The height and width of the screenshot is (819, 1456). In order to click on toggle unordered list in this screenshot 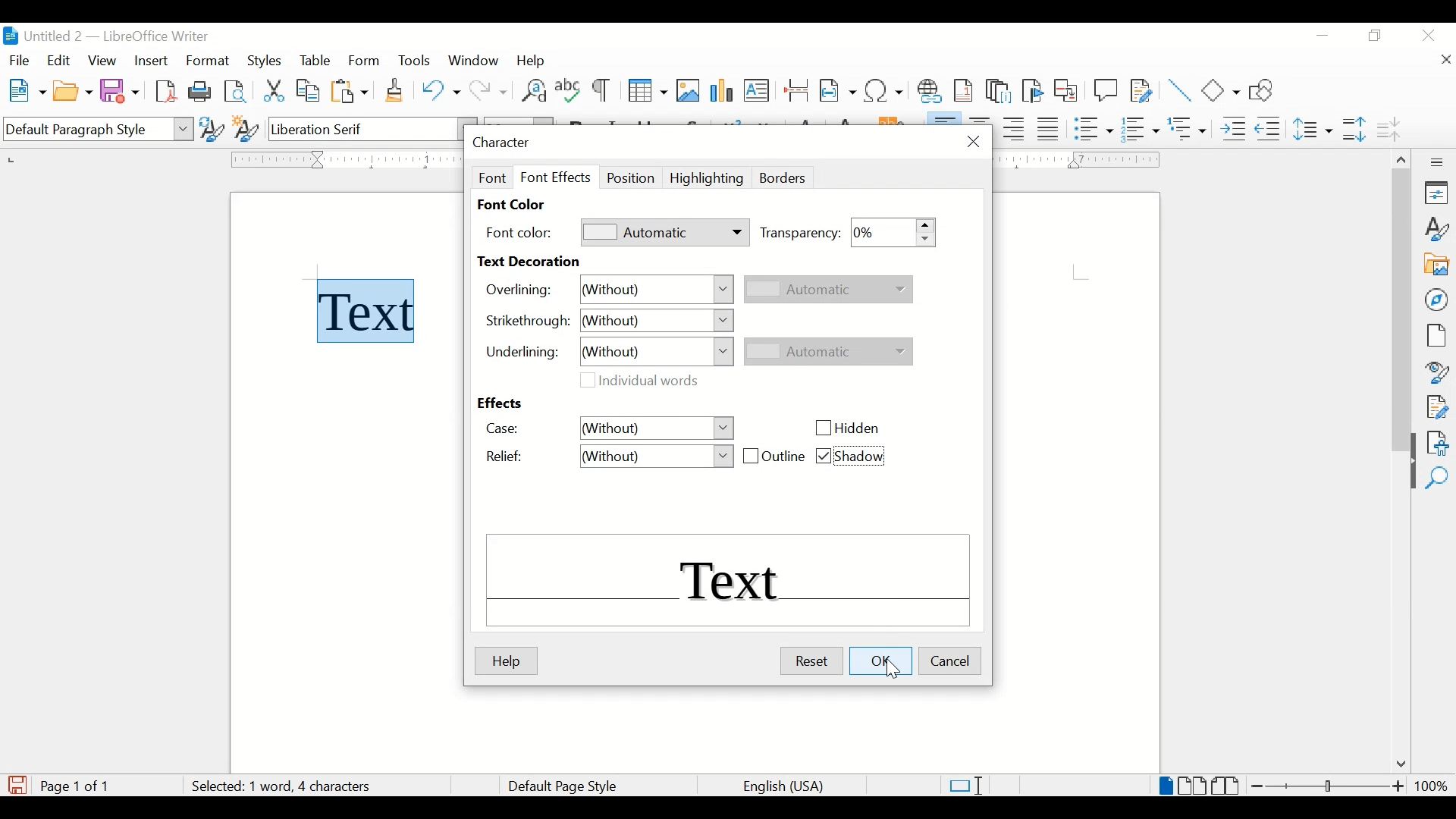, I will do `click(1094, 128)`.